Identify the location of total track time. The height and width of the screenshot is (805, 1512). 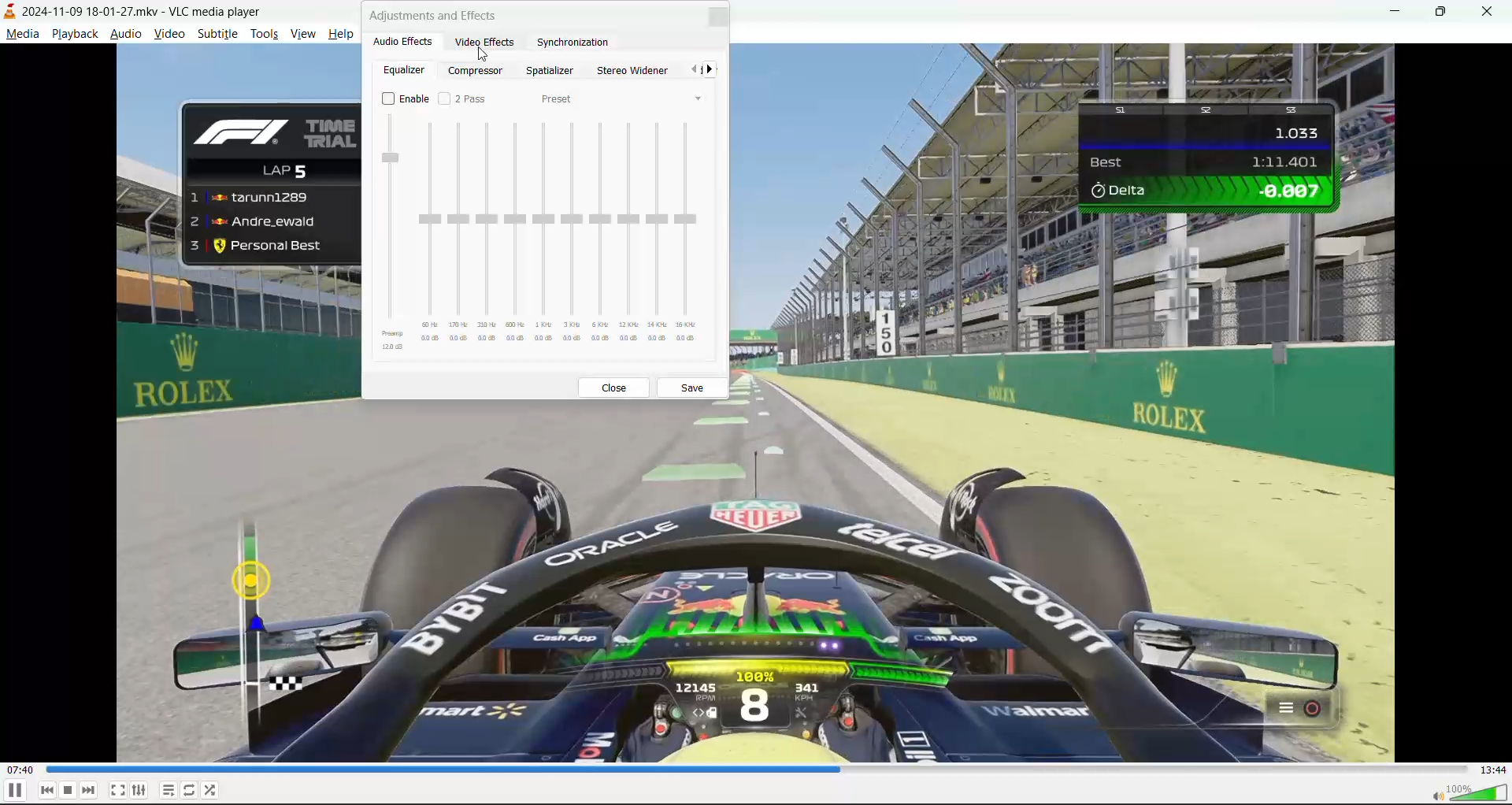
(1493, 770).